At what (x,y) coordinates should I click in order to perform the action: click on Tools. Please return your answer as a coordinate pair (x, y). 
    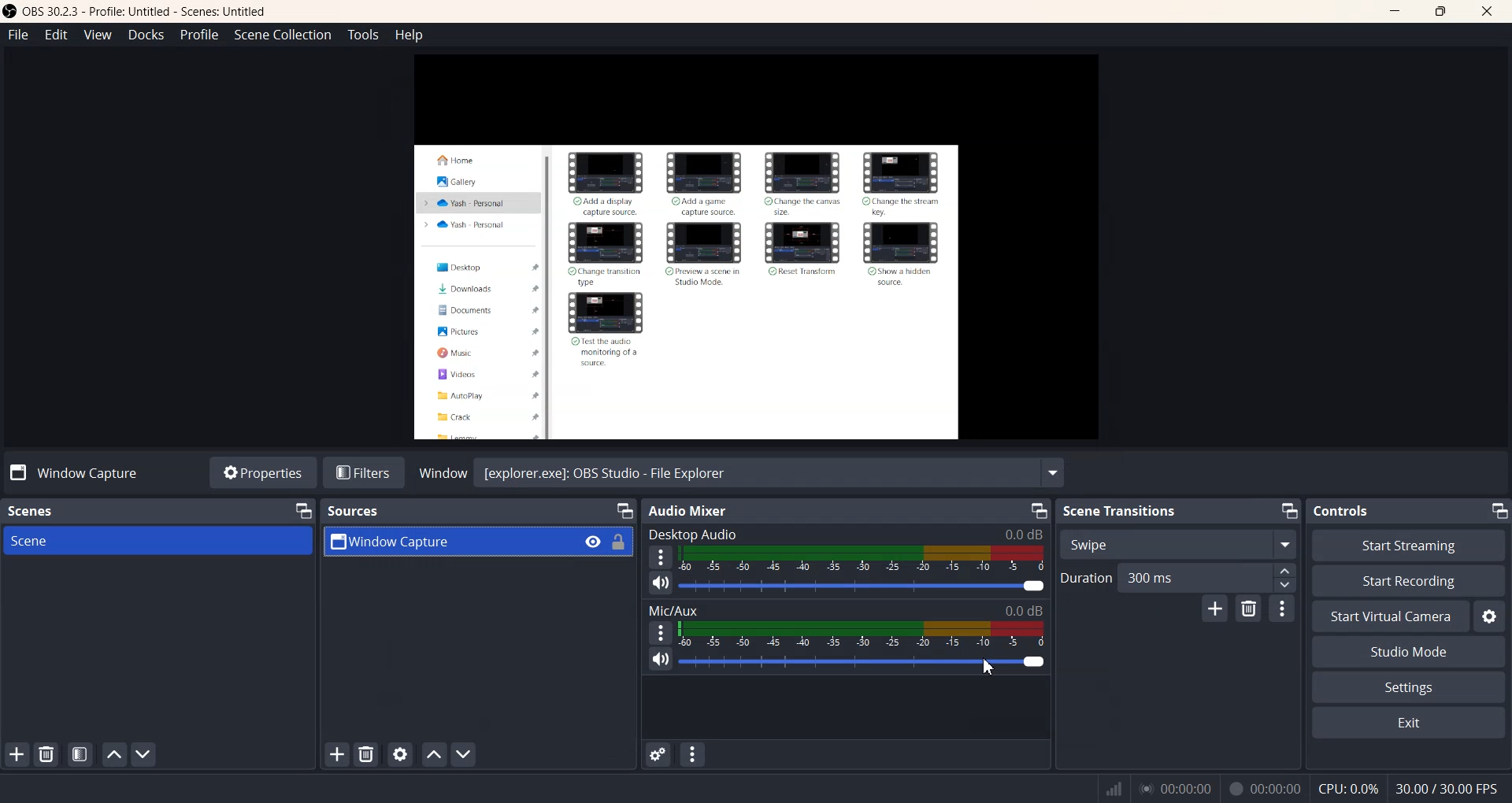
    Looking at the image, I should click on (364, 35).